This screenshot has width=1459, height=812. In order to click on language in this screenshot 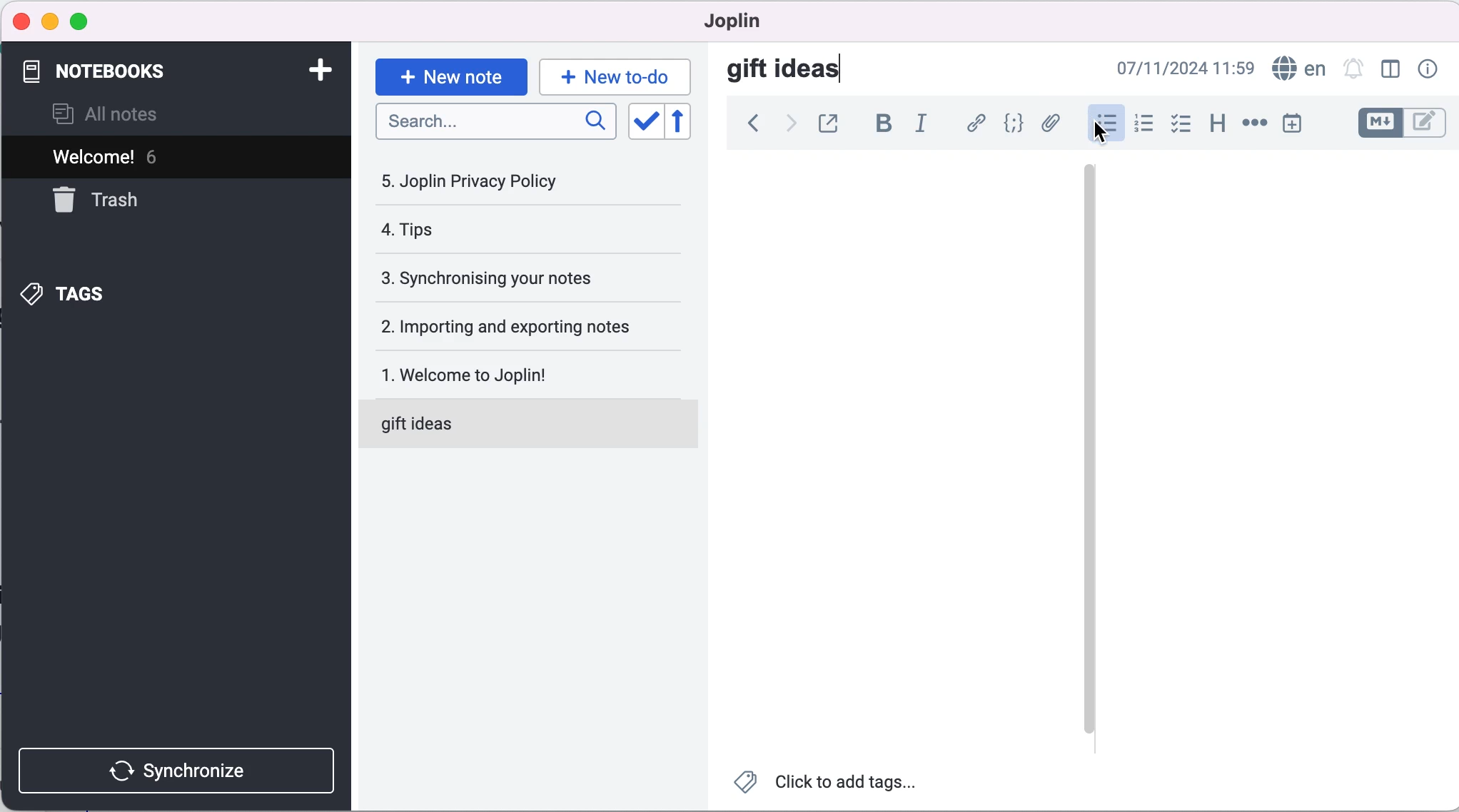, I will do `click(1298, 69)`.